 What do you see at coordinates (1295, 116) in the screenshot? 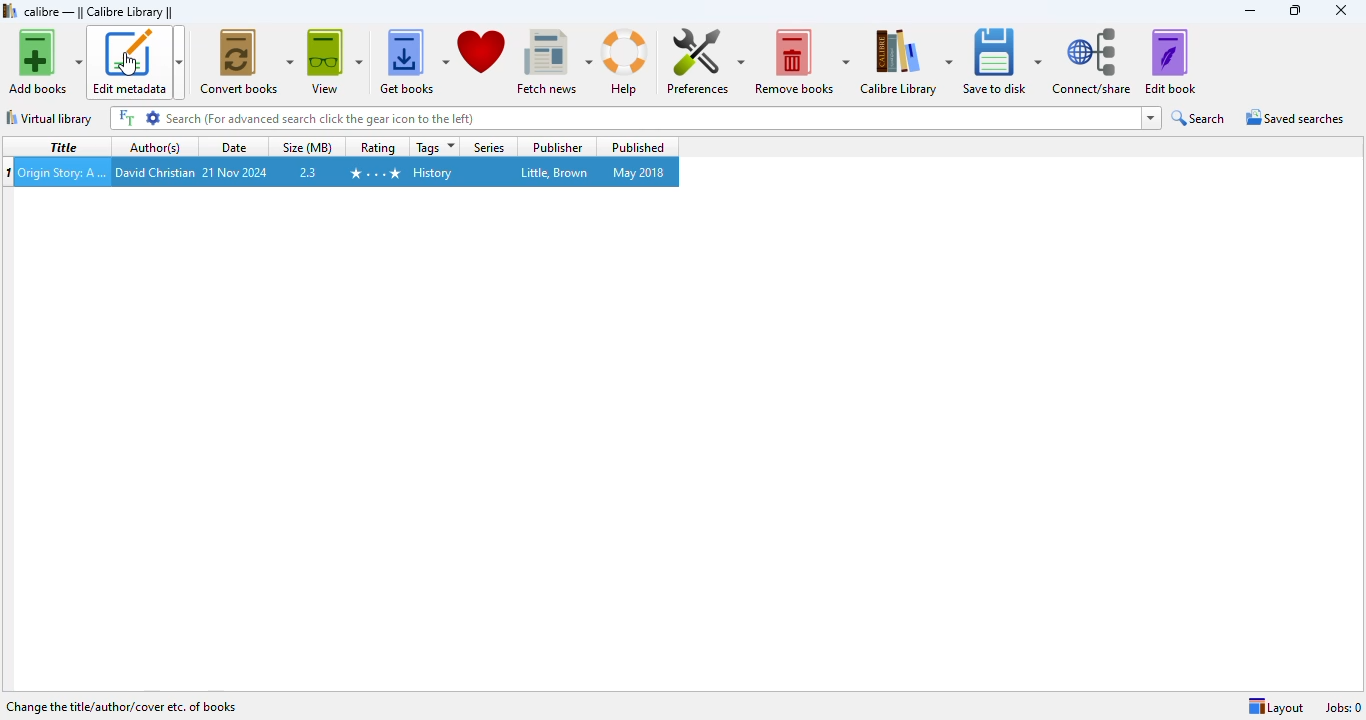
I see `saved searches` at bounding box center [1295, 116].